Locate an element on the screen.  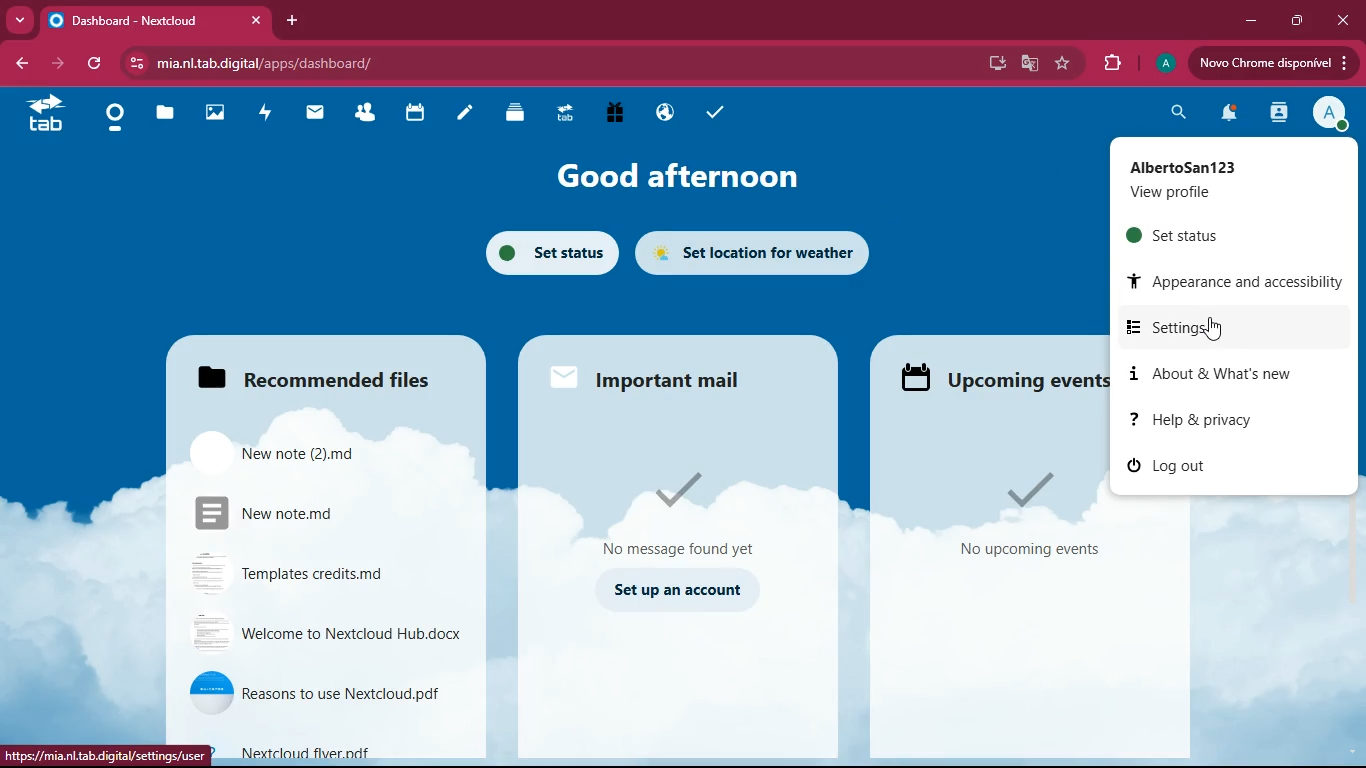
message is located at coordinates (682, 512).